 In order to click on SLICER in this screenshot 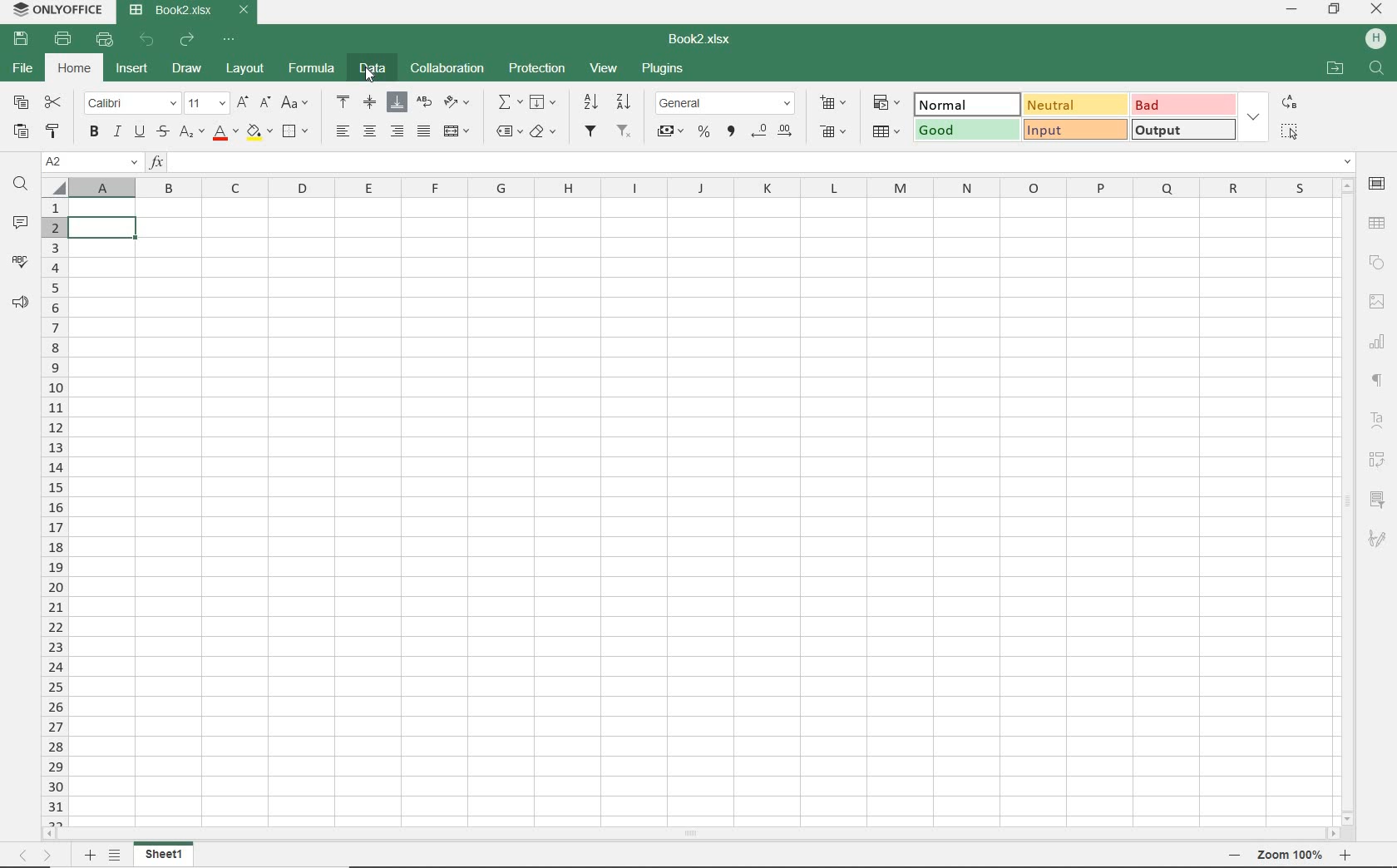, I will do `click(1377, 501)`.